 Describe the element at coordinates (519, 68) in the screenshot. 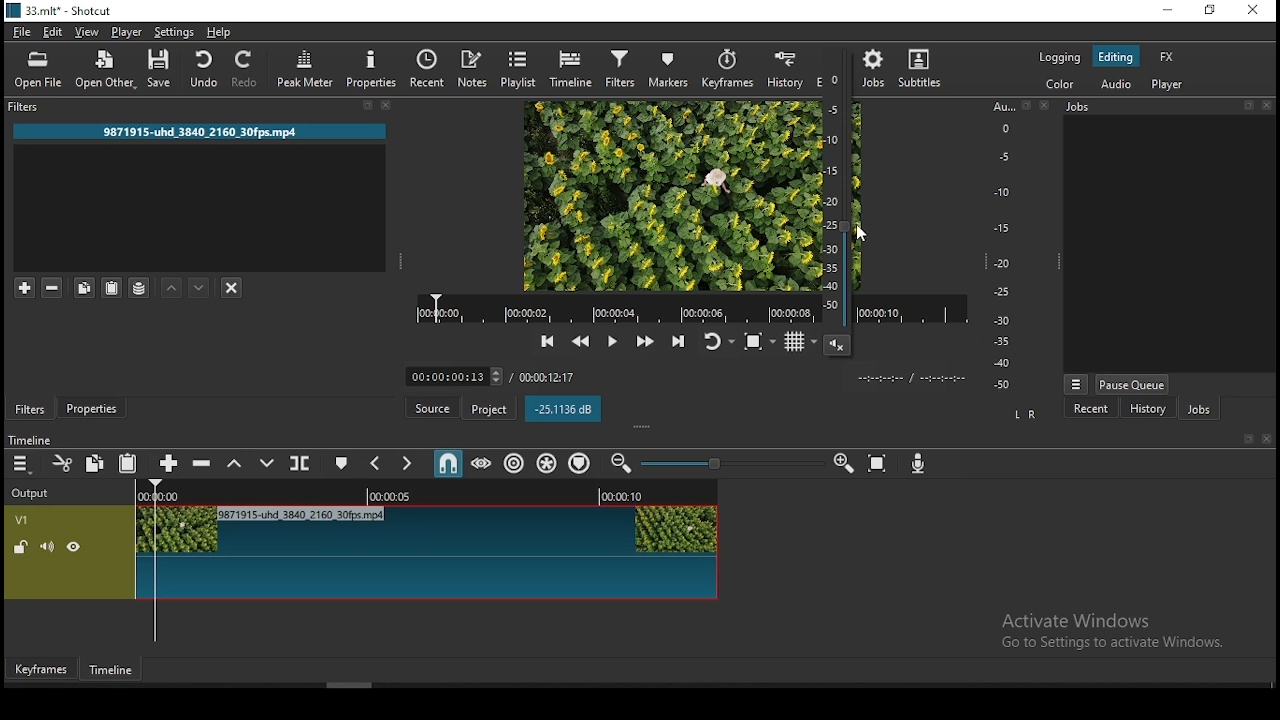

I see `playlist` at that location.